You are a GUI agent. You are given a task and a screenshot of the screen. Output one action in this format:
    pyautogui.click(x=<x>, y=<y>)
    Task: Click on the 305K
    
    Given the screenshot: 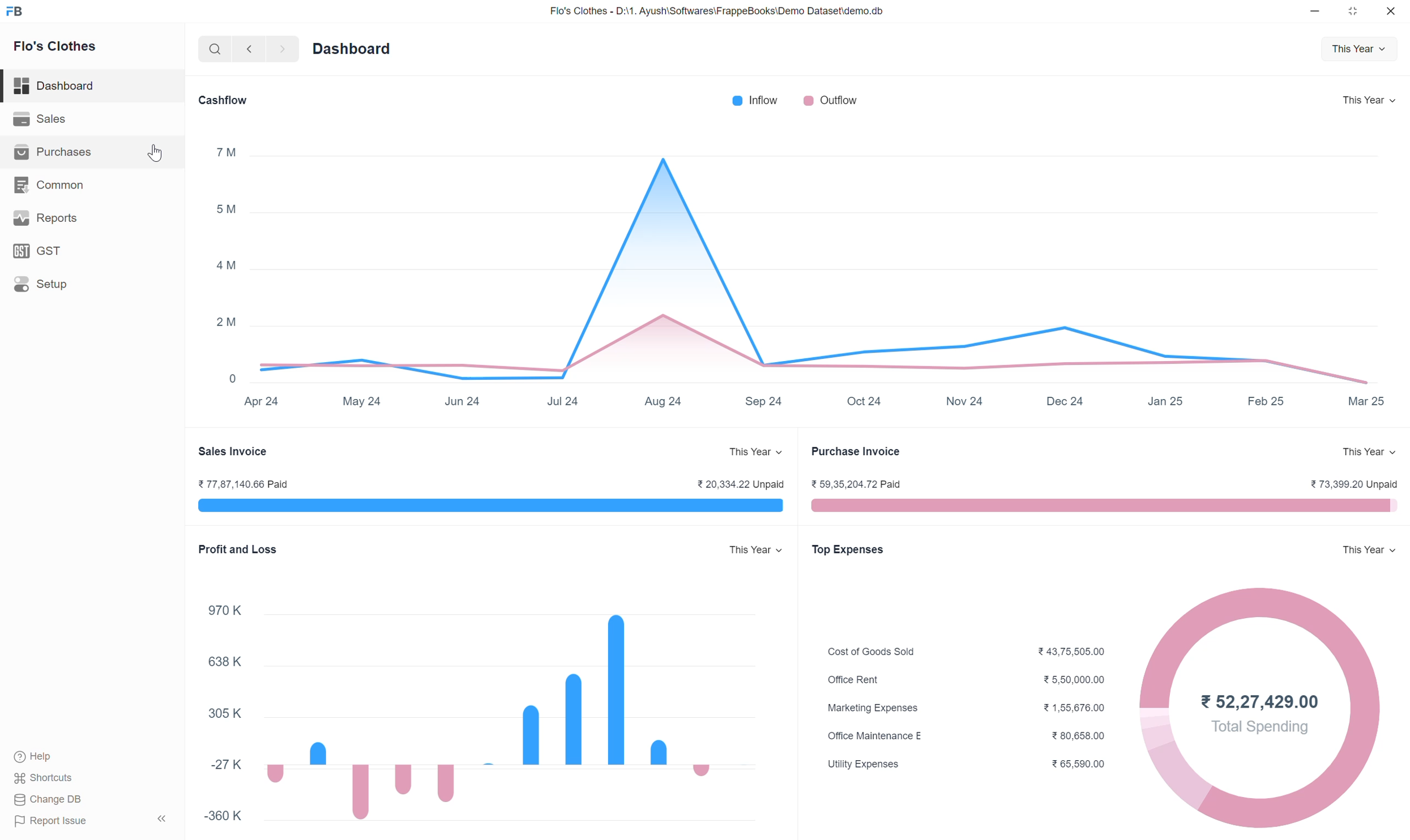 What is the action you would take?
    pyautogui.click(x=214, y=709)
    